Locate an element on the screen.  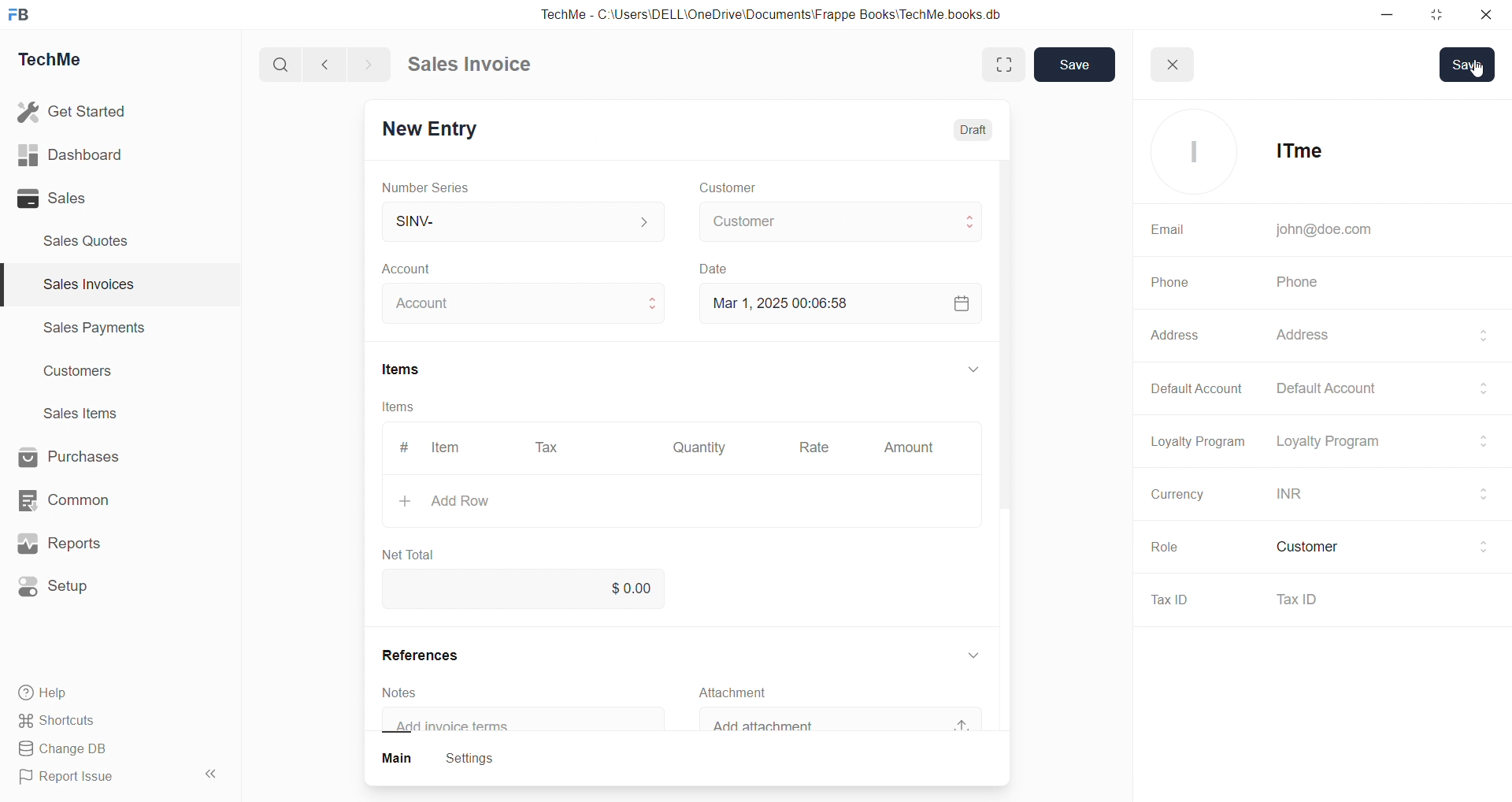
ull Dashboard is located at coordinates (78, 154).